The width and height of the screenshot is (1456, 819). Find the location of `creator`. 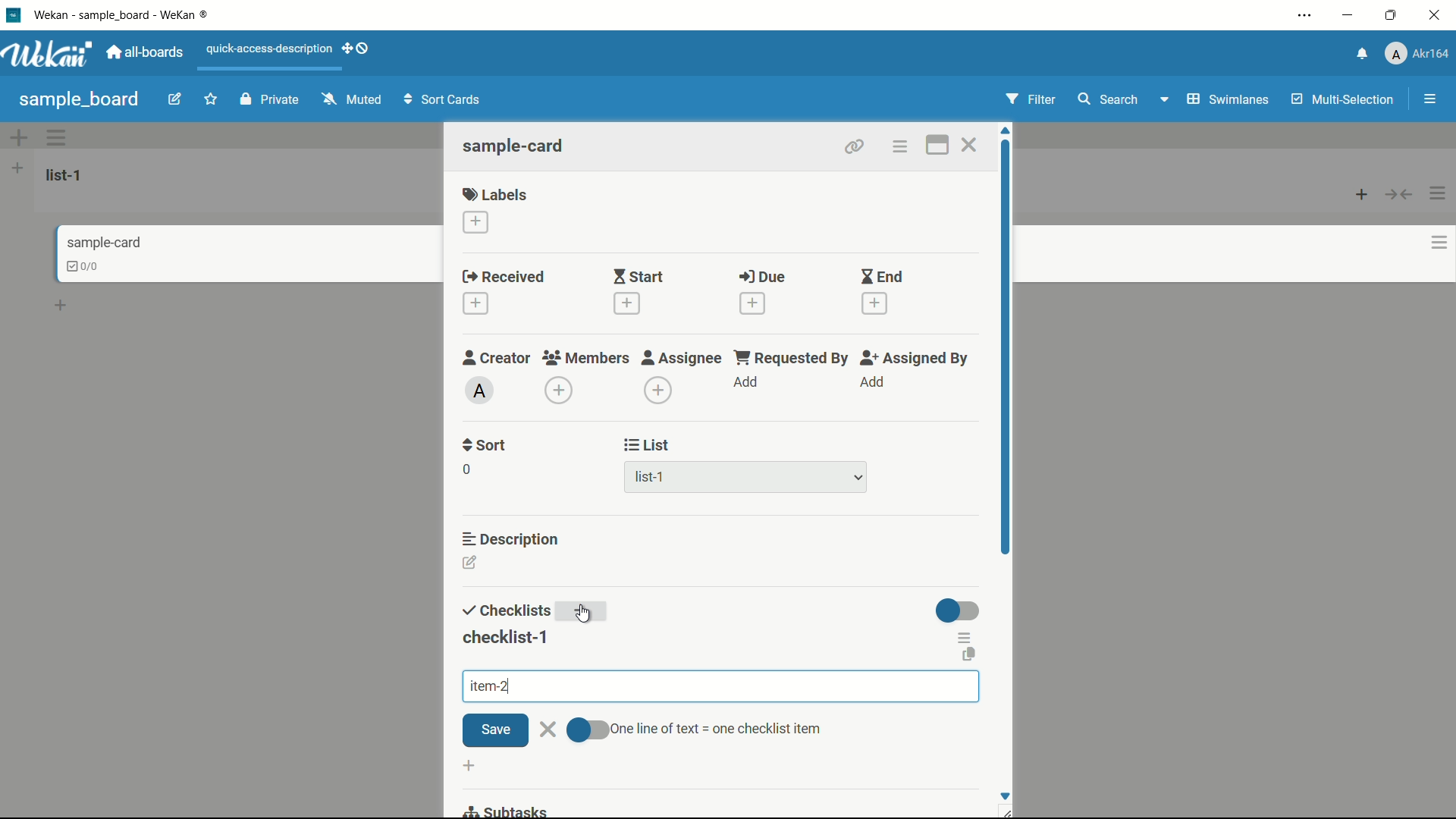

creator is located at coordinates (497, 357).